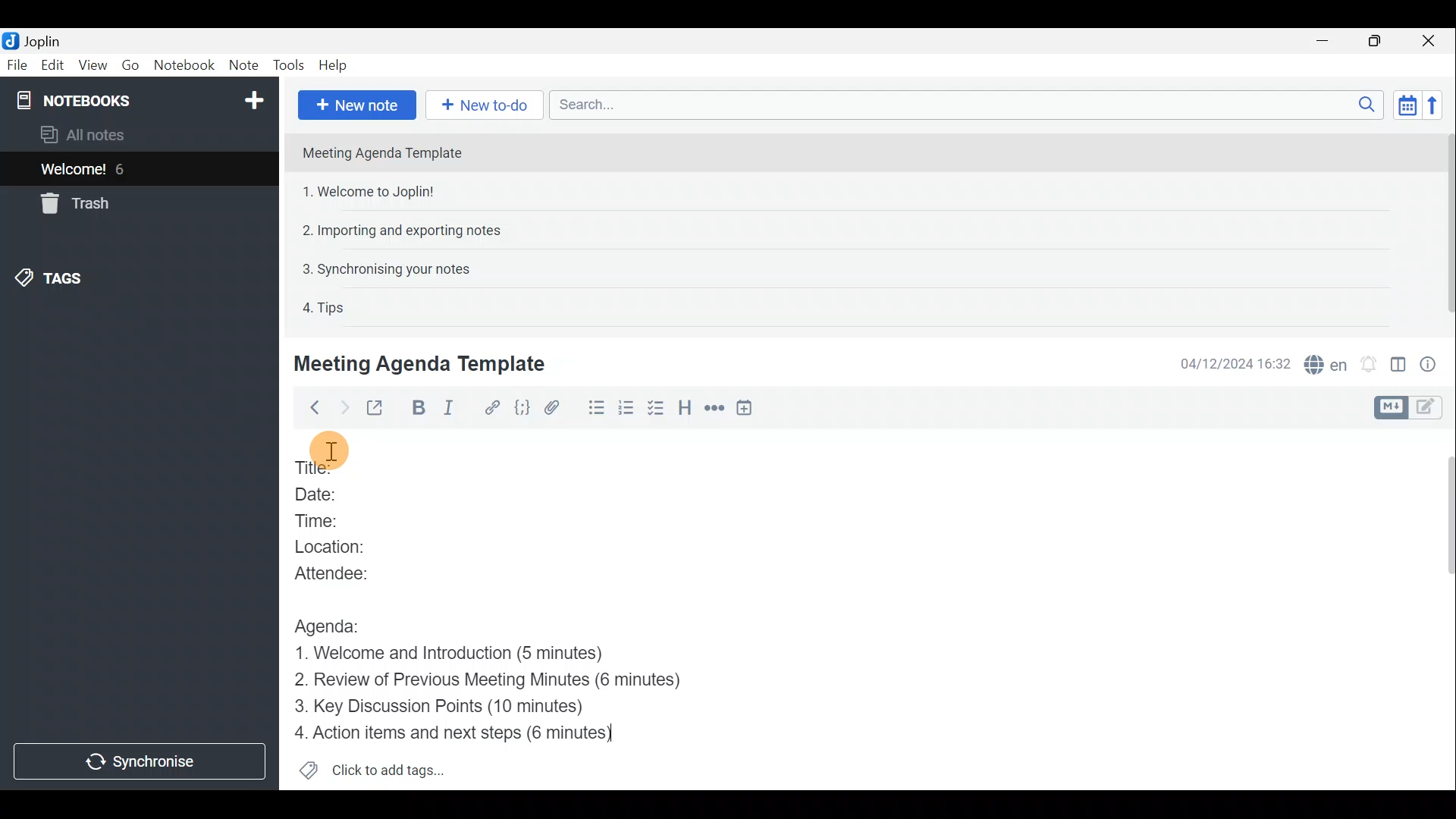  What do you see at coordinates (480, 105) in the screenshot?
I see `New to-do` at bounding box center [480, 105].